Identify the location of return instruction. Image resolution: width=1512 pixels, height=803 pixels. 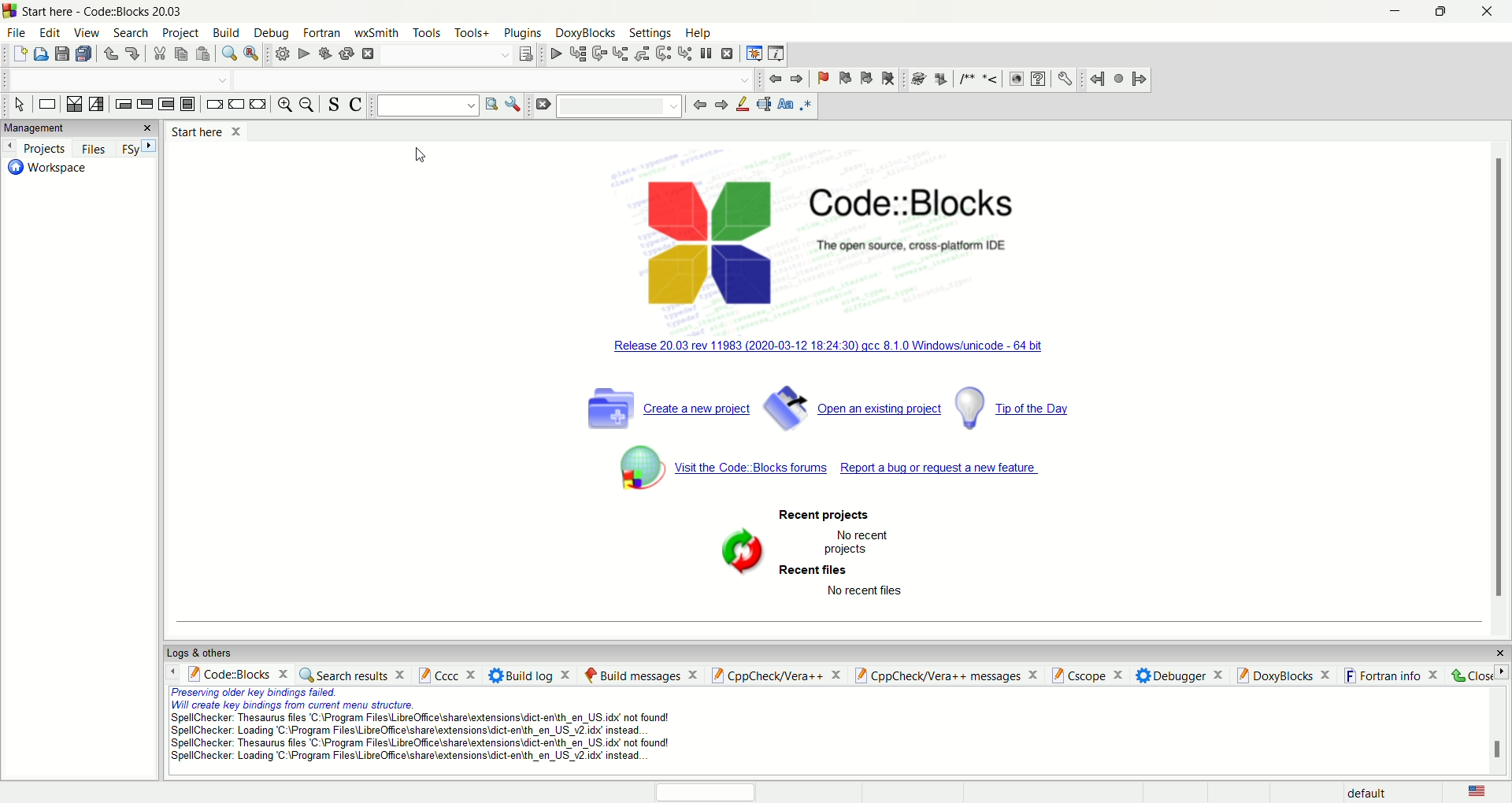
(259, 104).